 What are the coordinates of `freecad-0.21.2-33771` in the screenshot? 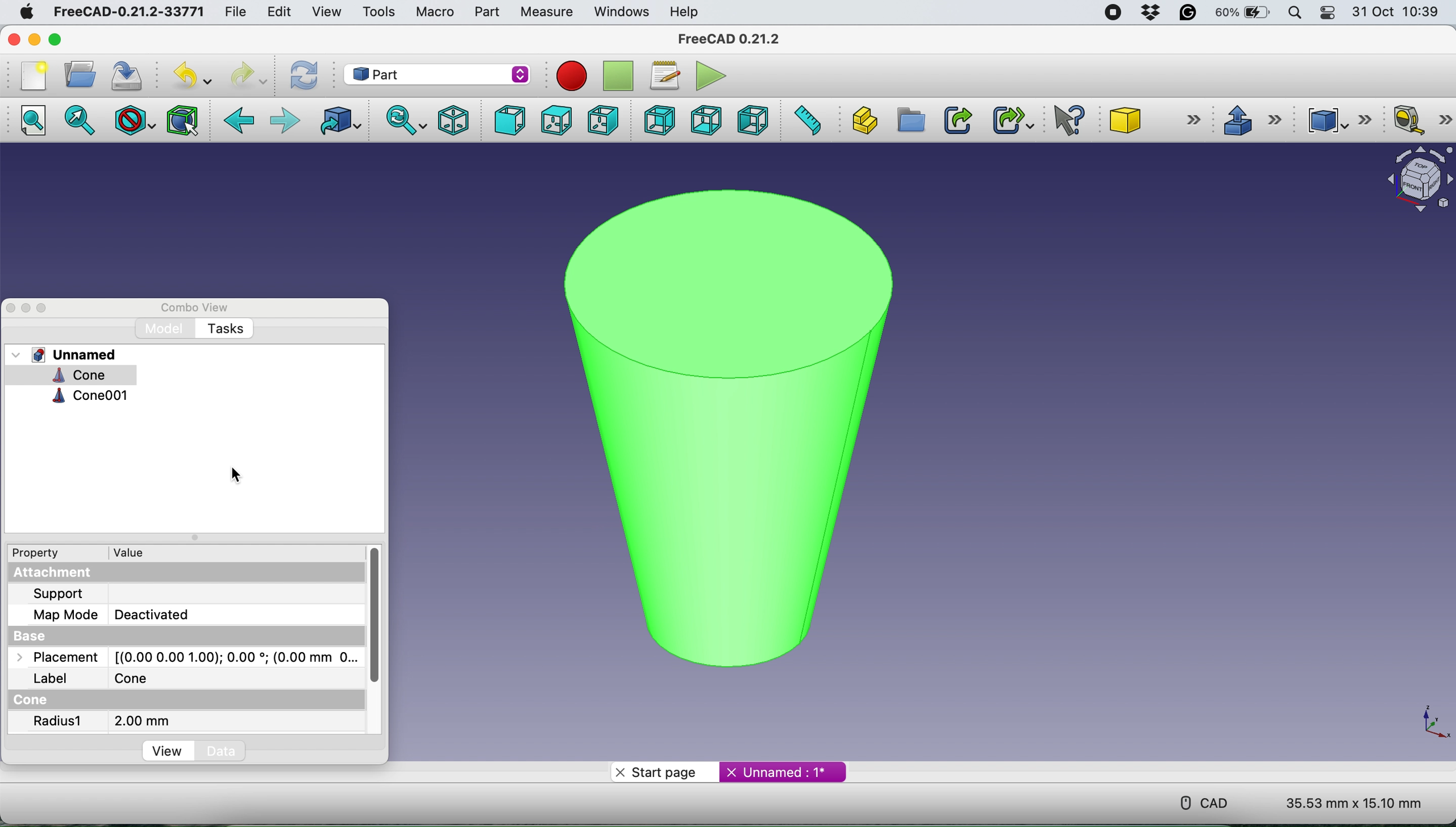 It's located at (130, 12).